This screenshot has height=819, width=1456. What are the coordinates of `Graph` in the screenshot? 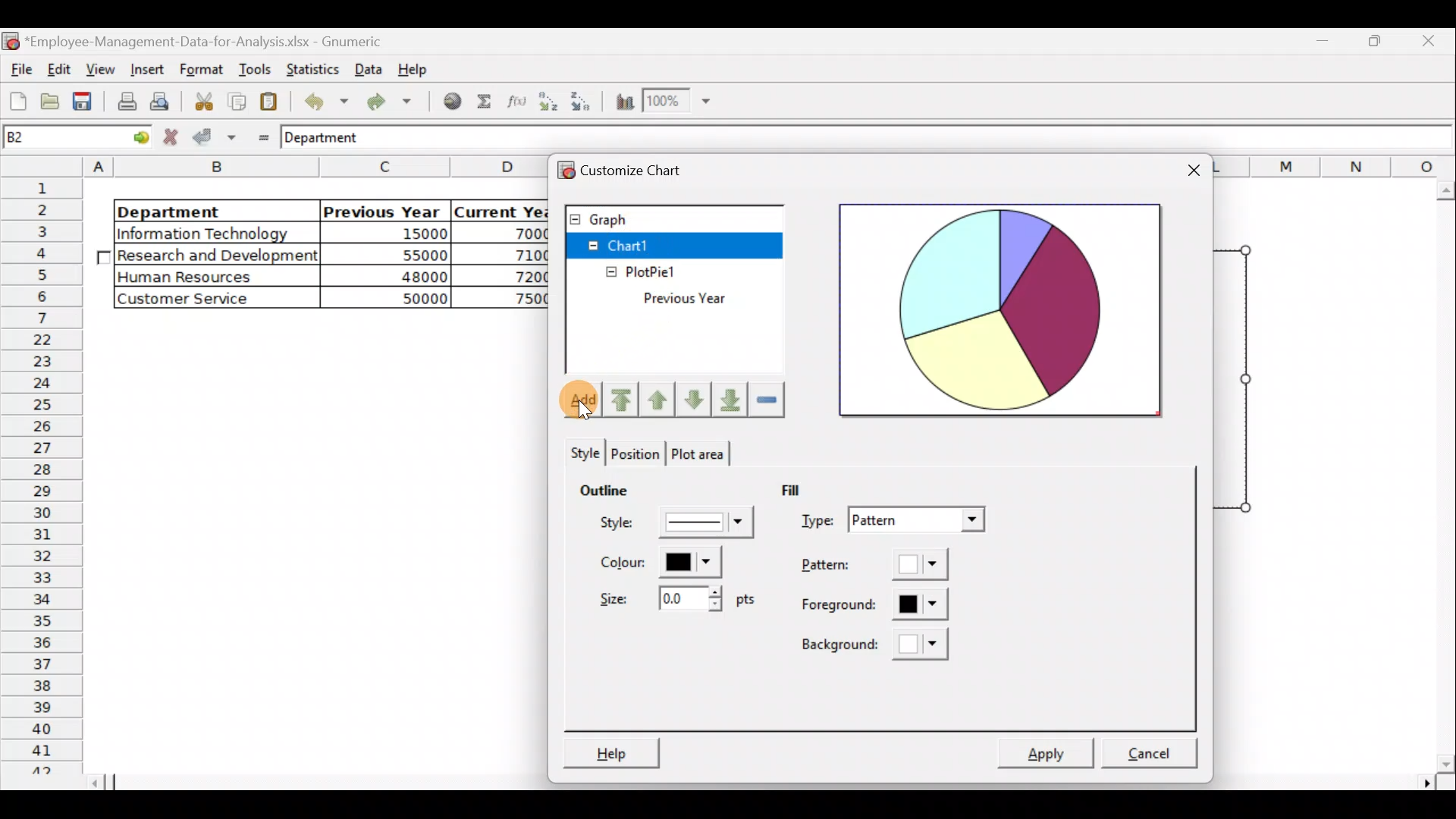 It's located at (673, 216).